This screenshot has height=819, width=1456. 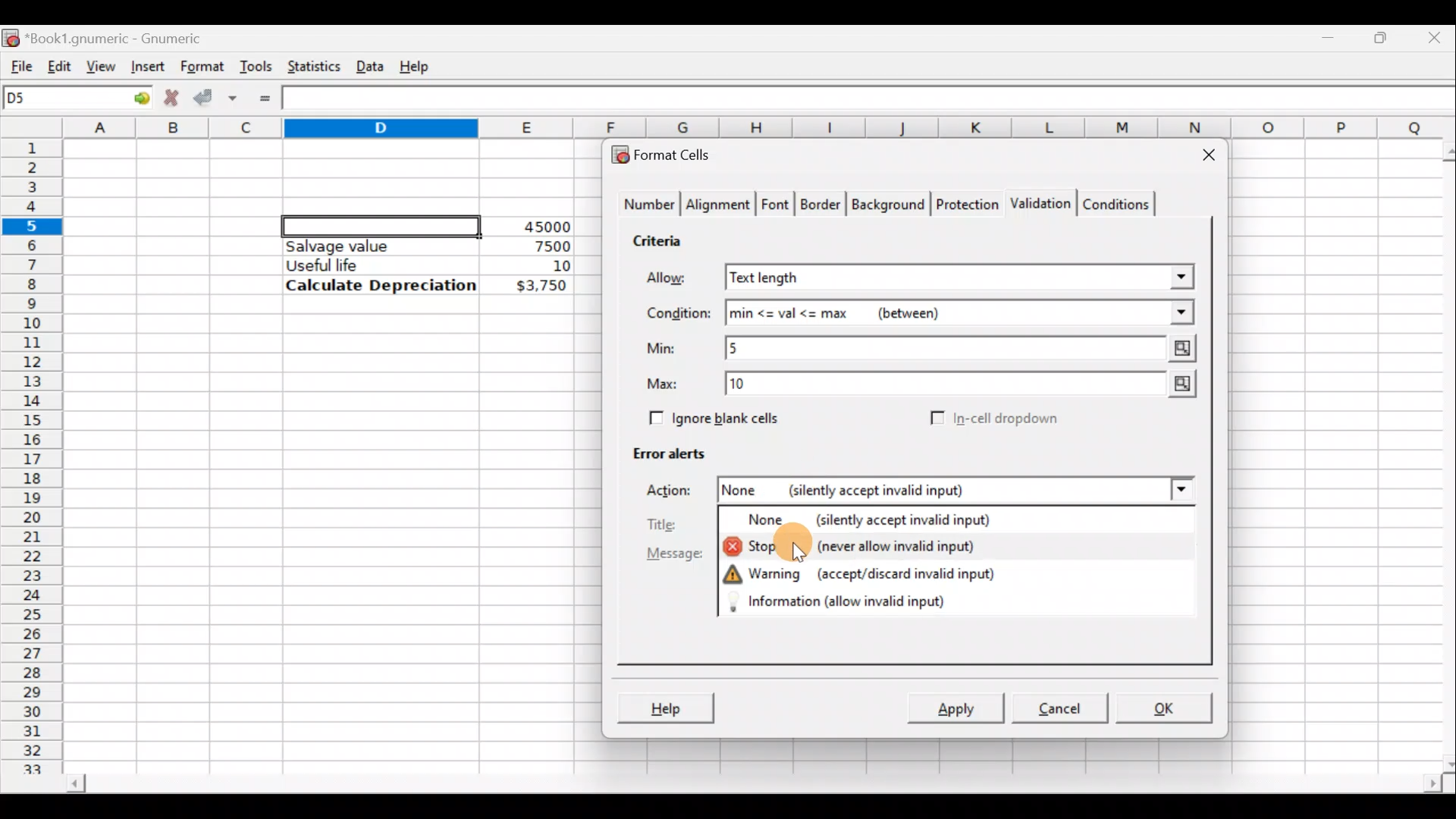 I want to click on Statistics, so click(x=310, y=65).